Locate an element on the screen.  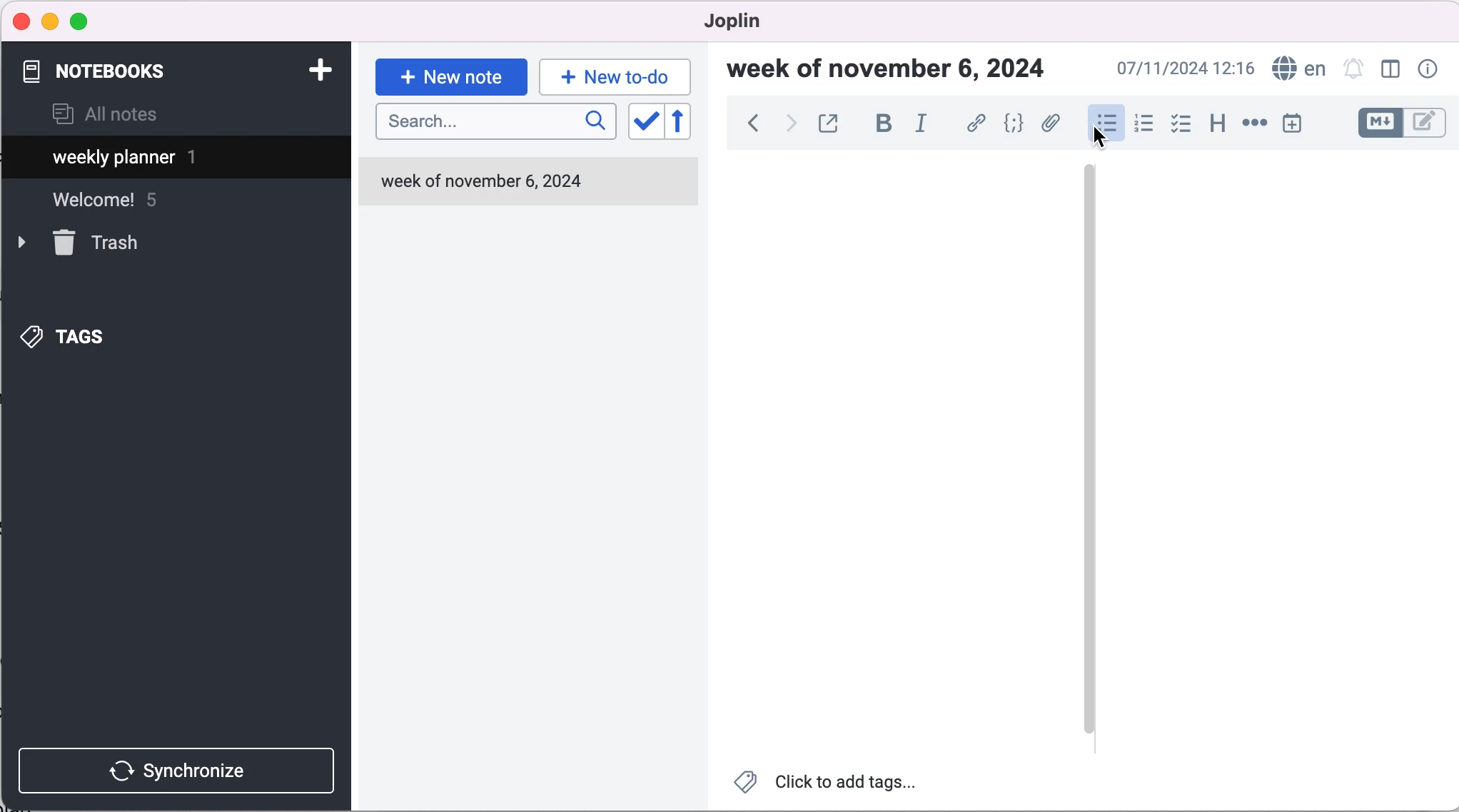
add file is located at coordinates (1051, 126).